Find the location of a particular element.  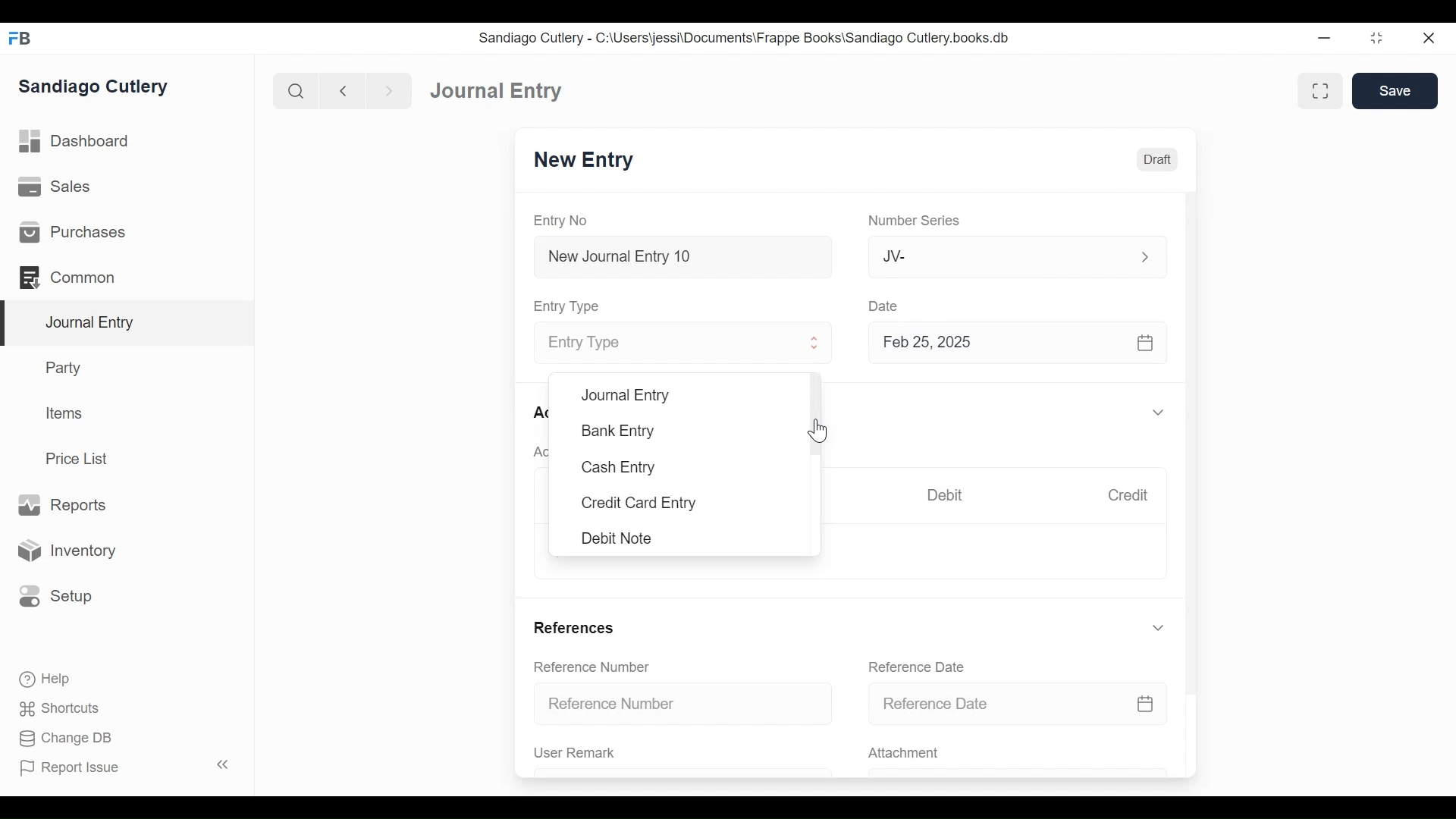

Close is located at coordinates (1427, 39).